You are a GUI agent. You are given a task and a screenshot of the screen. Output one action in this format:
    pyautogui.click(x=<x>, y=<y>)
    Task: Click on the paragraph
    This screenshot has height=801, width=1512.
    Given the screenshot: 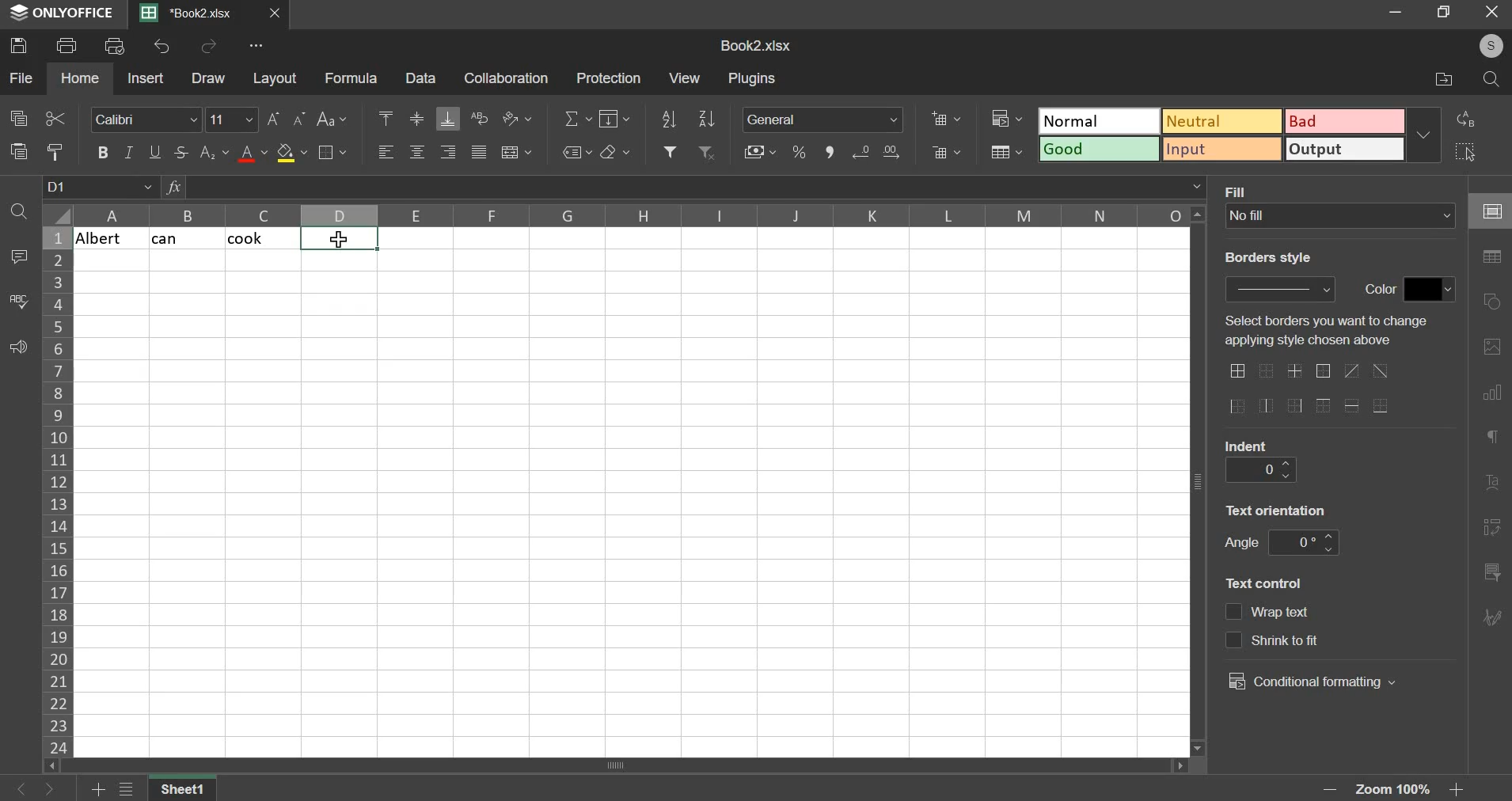 What is the action you would take?
    pyautogui.click(x=1491, y=439)
    